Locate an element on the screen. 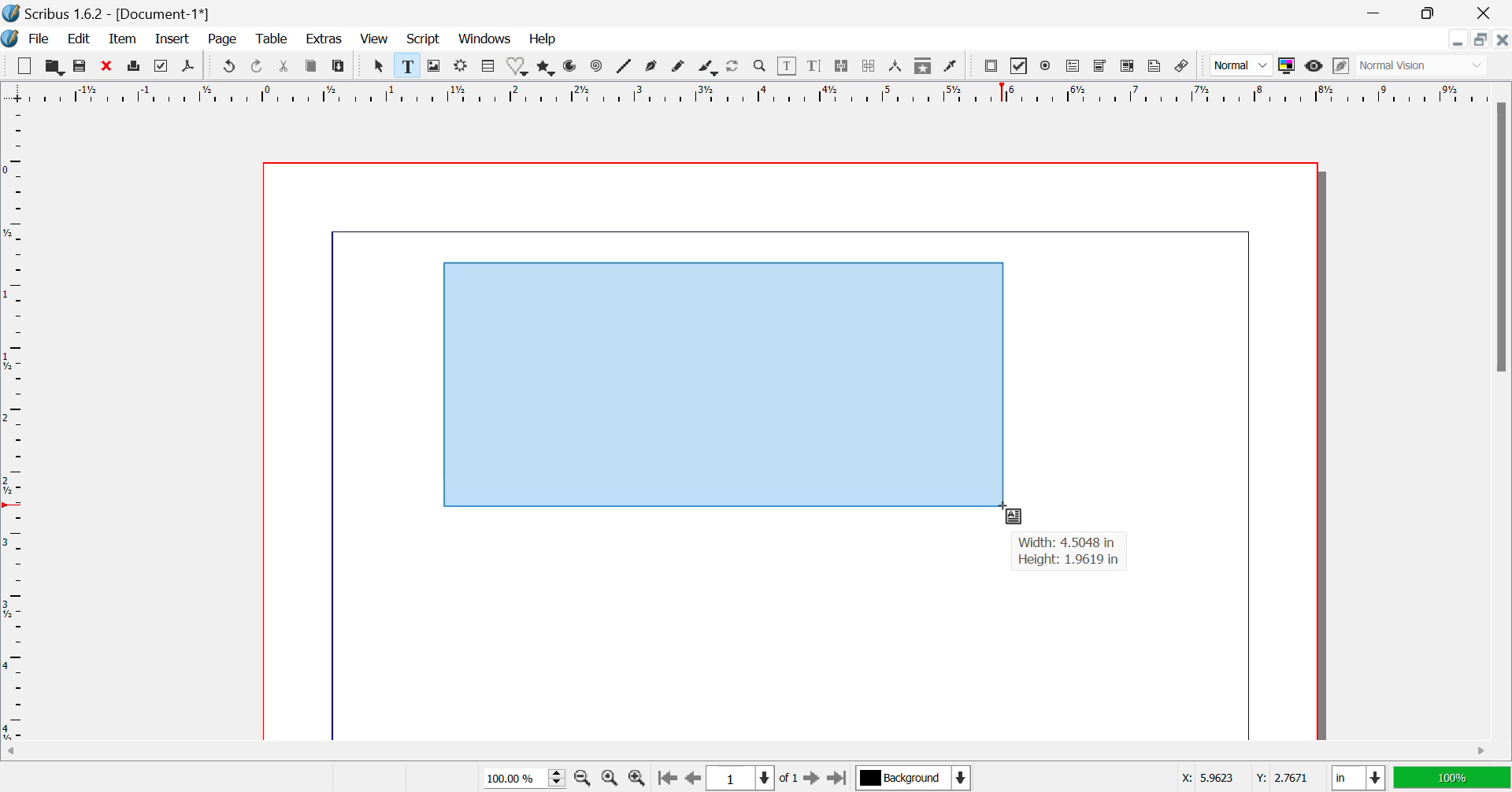 The image size is (1512, 792). Pdf Text Field is located at coordinates (1074, 68).